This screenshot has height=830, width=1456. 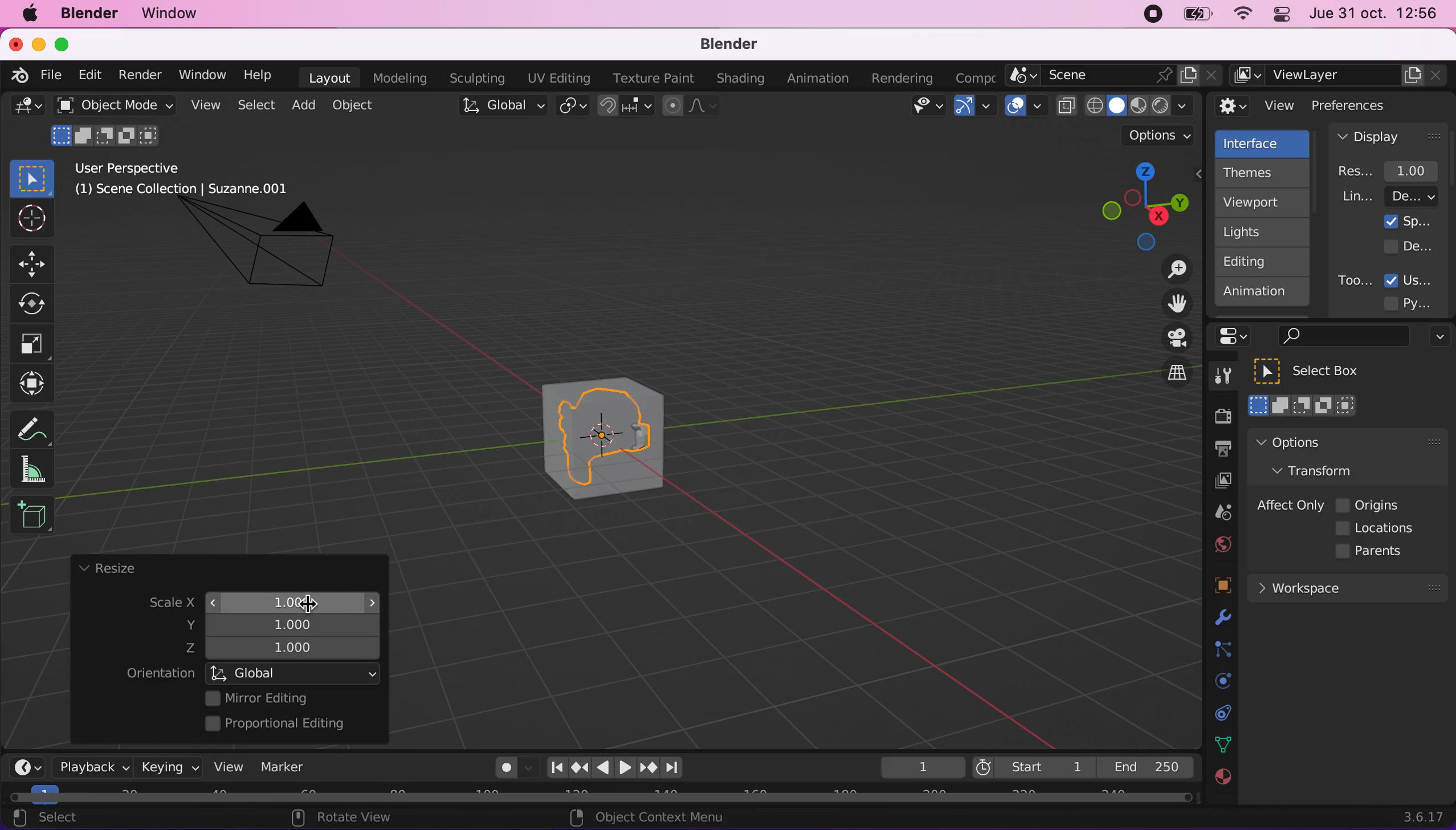 What do you see at coordinates (1220, 619) in the screenshot?
I see `physics` at bounding box center [1220, 619].